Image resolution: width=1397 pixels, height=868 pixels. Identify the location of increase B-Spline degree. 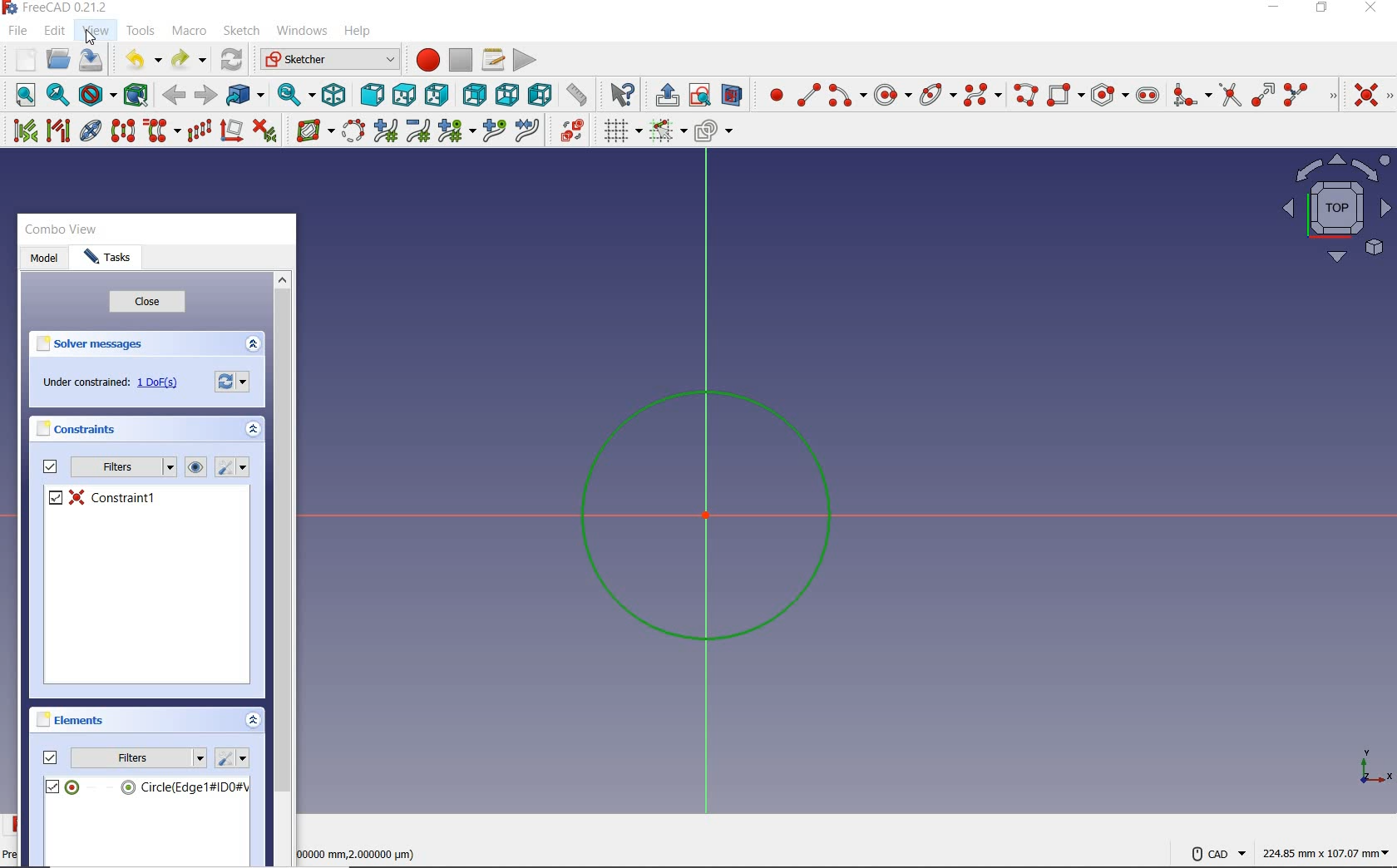
(383, 131).